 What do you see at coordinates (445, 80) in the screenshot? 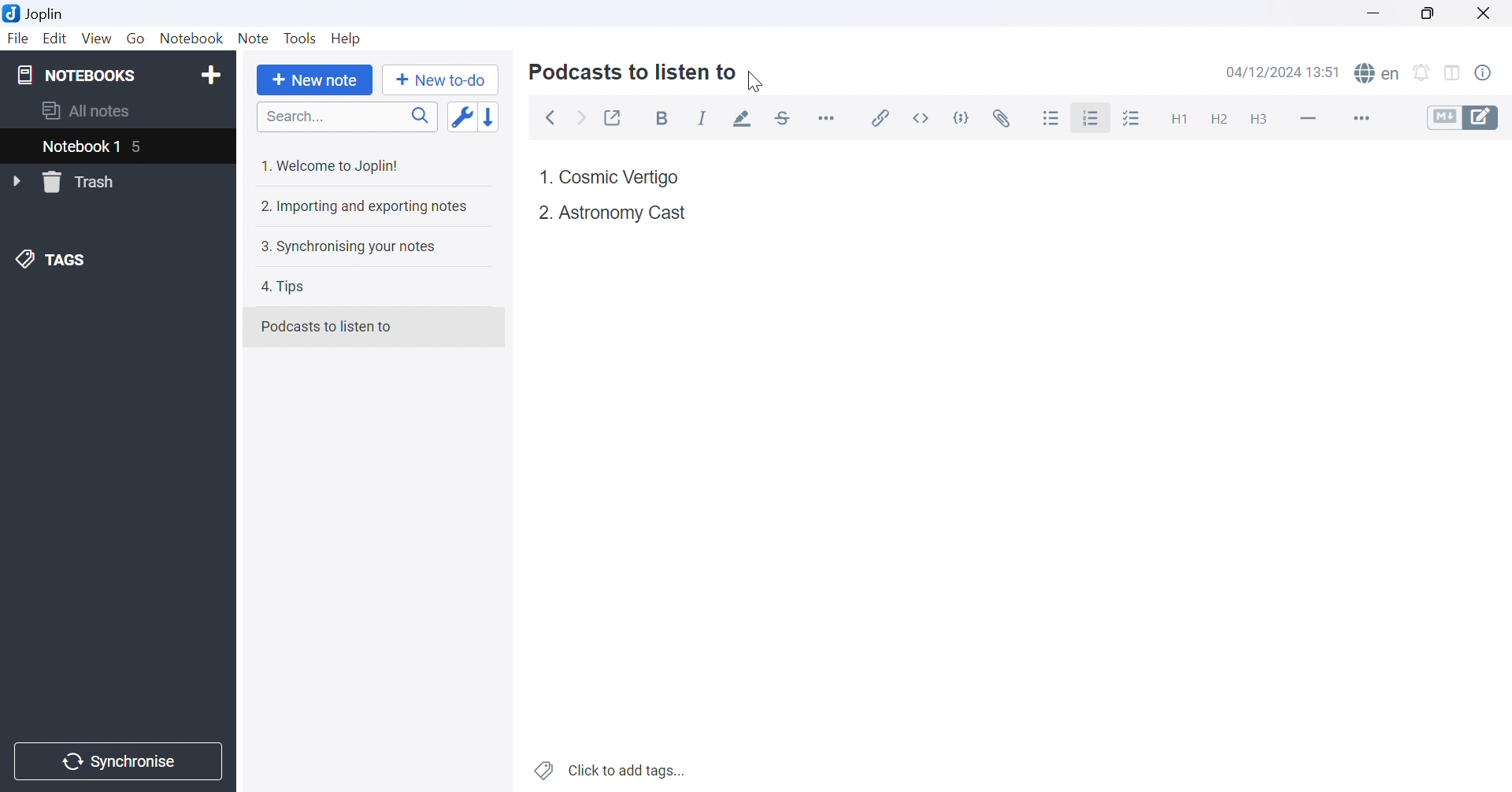
I see `New to-do` at bounding box center [445, 80].